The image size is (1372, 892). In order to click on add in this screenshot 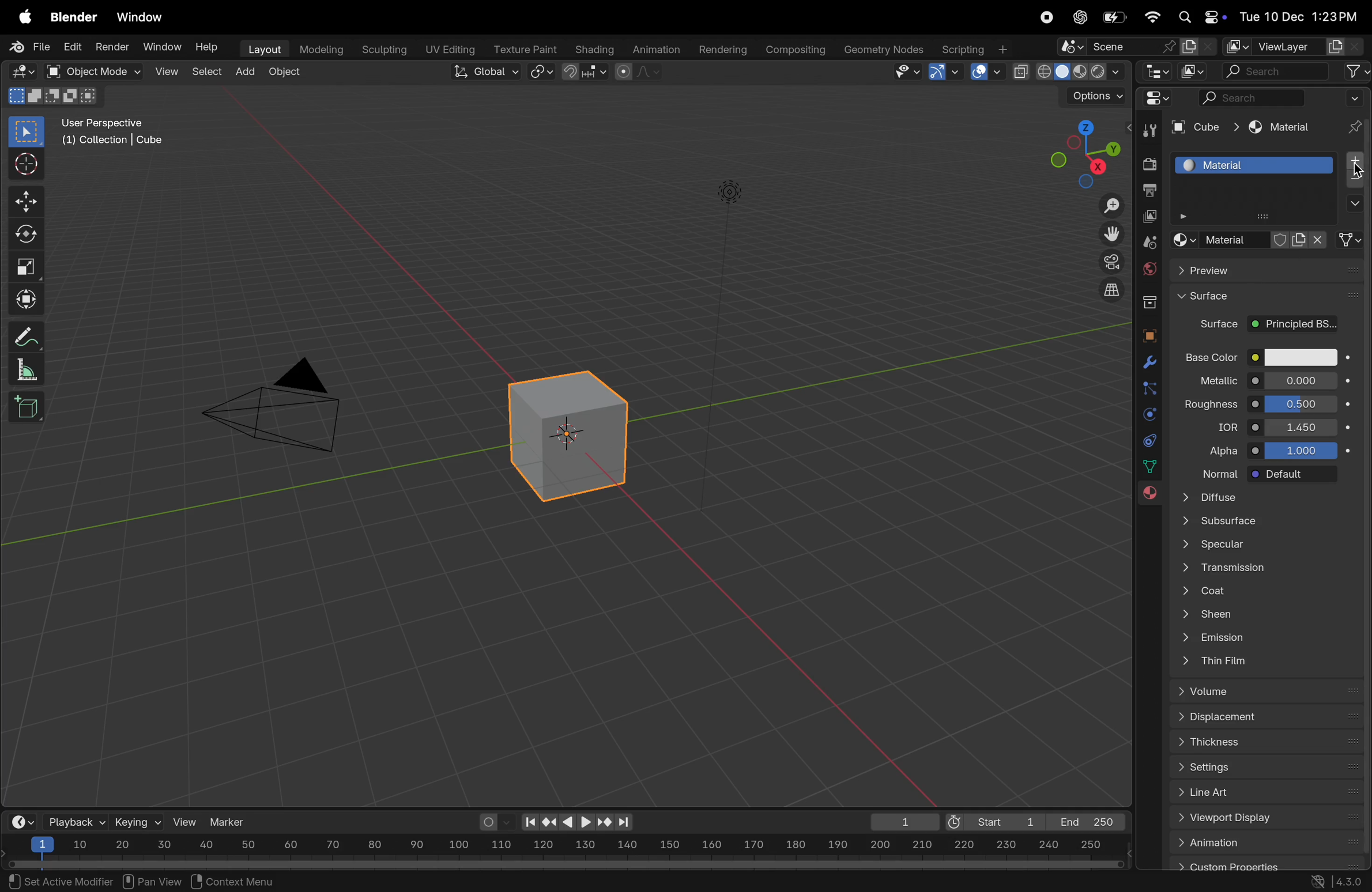, I will do `click(246, 69)`.